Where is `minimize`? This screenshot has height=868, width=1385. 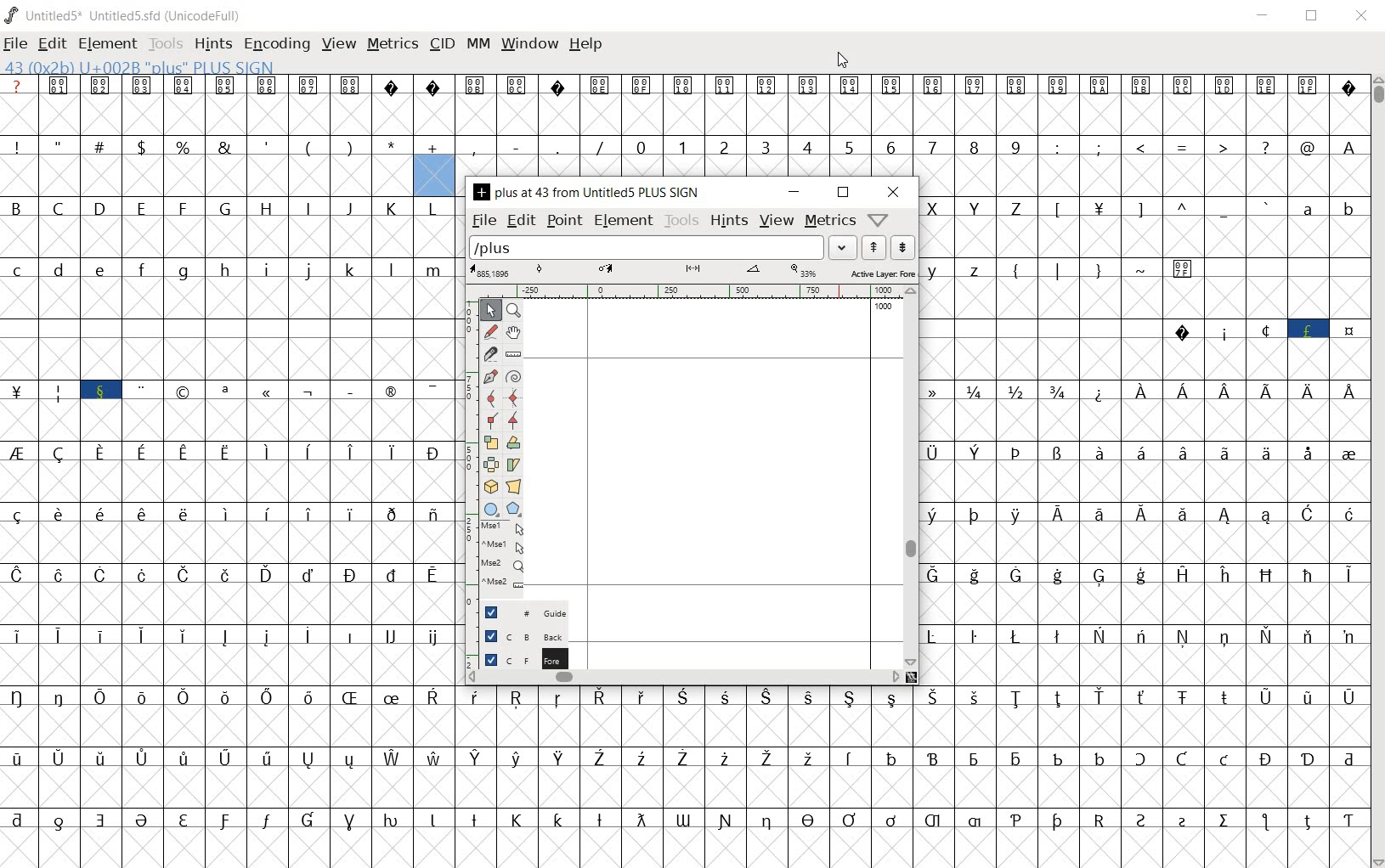
minimize is located at coordinates (1265, 14).